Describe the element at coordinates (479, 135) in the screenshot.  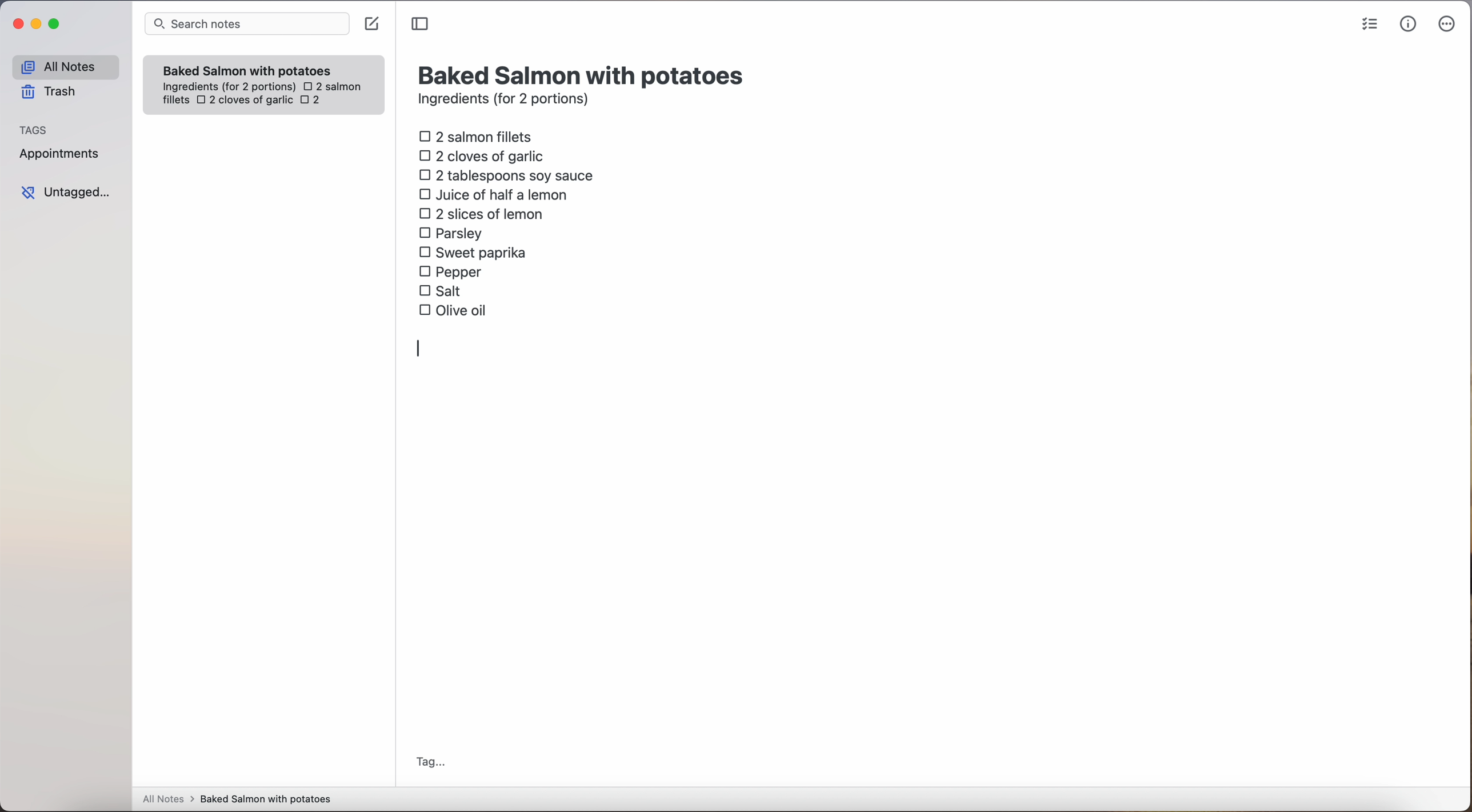
I see `2 salmon fillets` at that location.